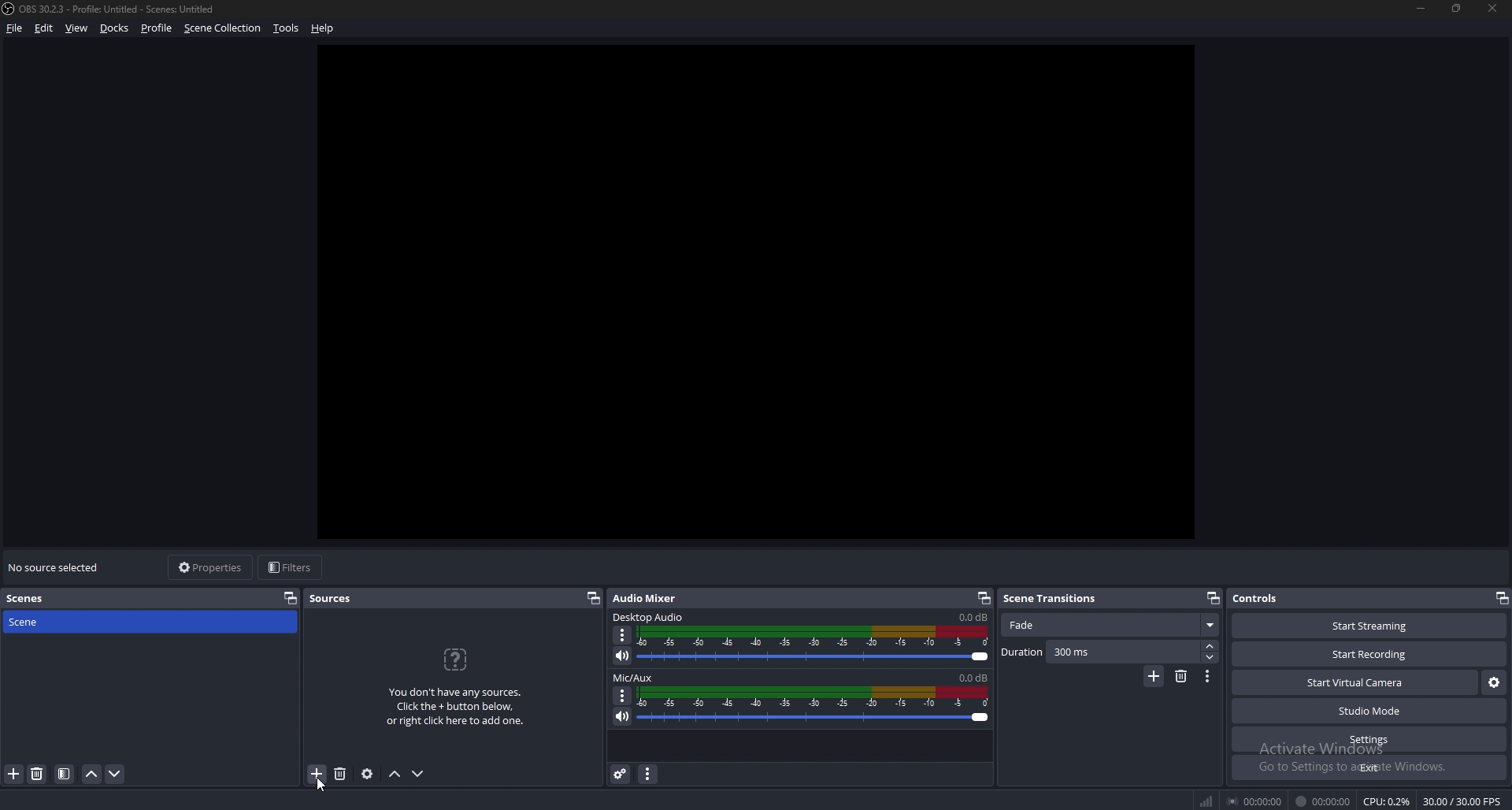 The height and width of the screenshot is (810, 1512). I want to click on Docks, so click(117, 28).